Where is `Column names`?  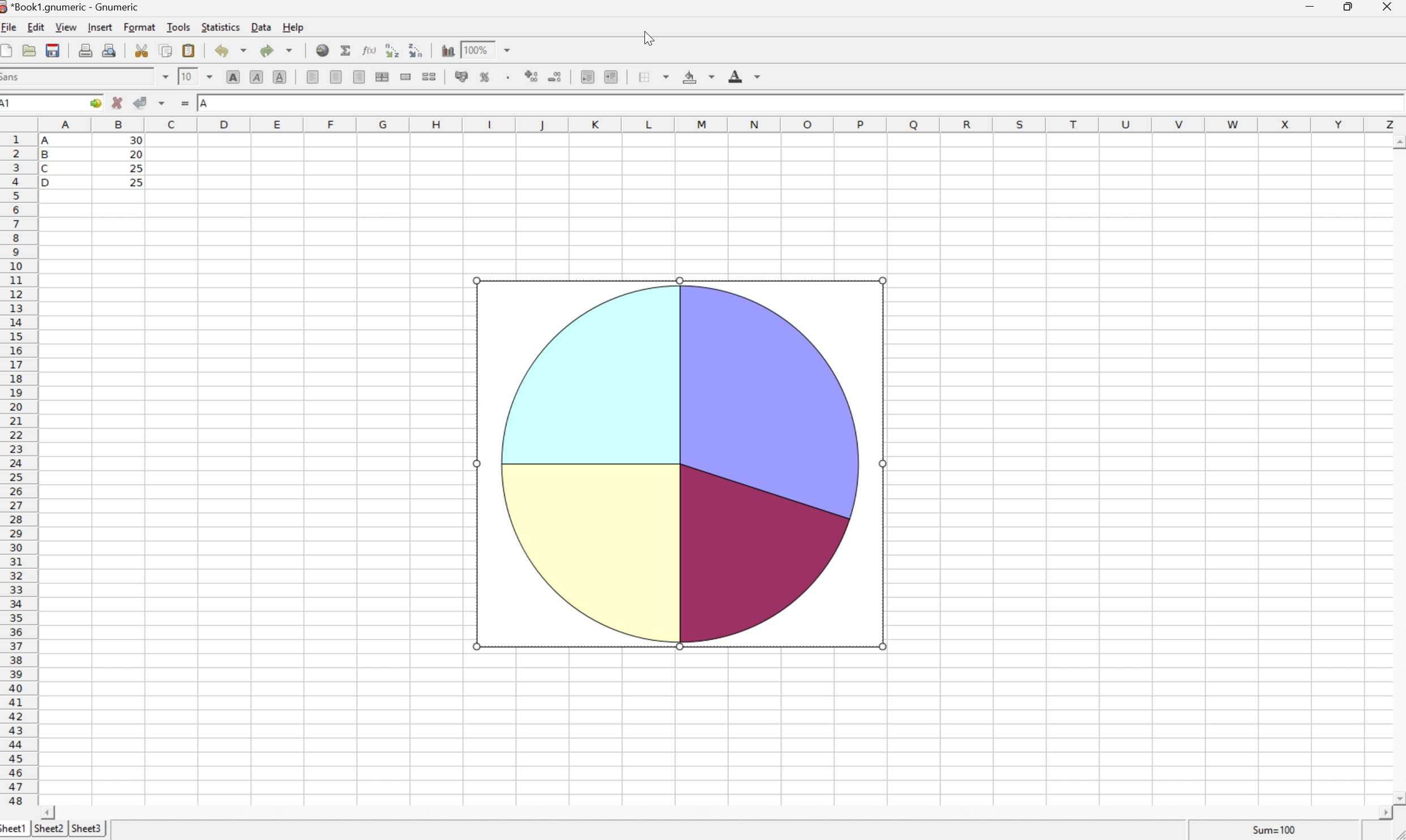
Column names is located at coordinates (721, 123).